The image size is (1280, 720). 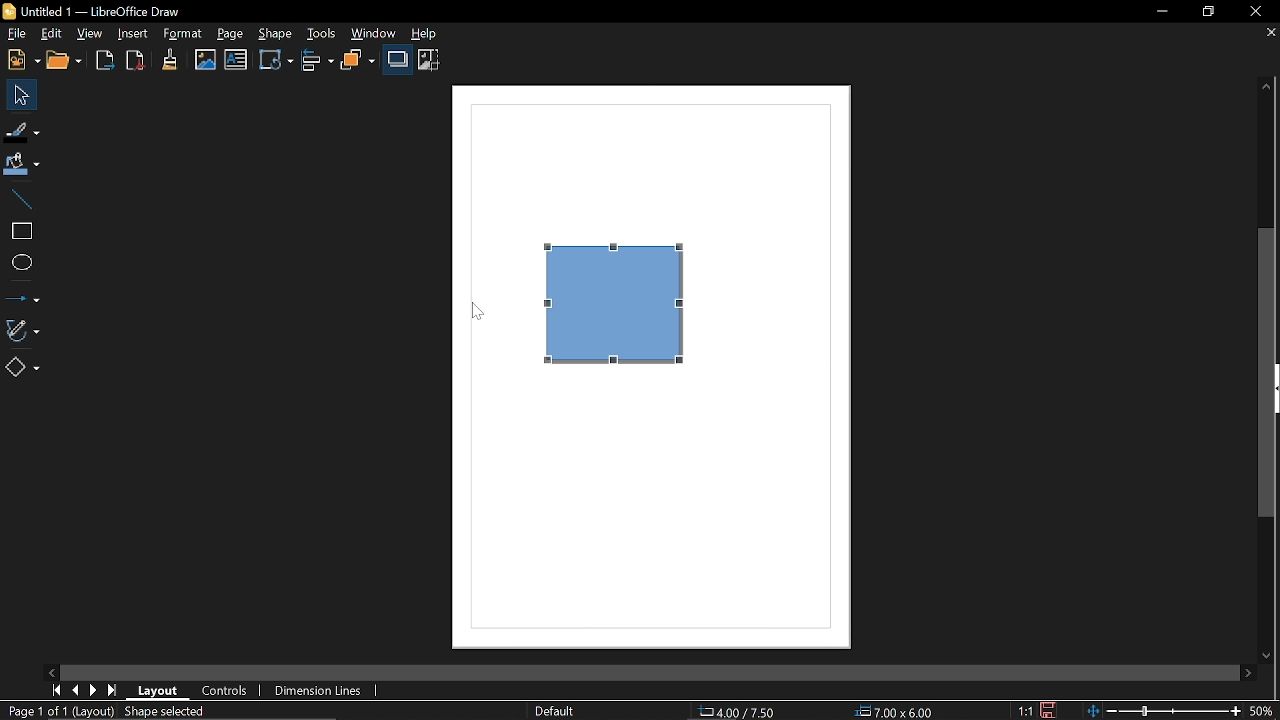 I want to click on Move left, so click(x=53, y=671).